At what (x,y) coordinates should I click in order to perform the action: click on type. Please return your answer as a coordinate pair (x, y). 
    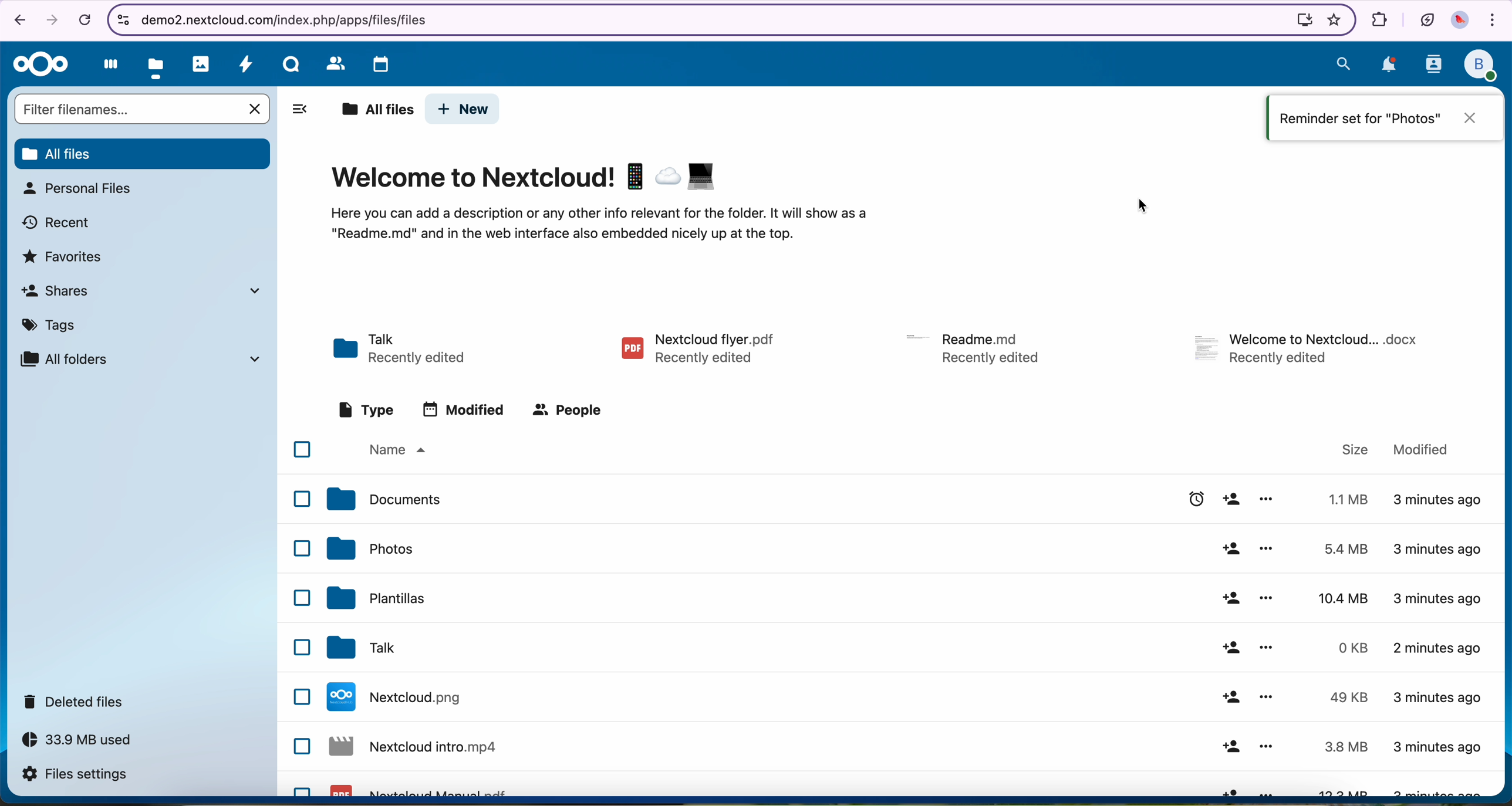
    Looking at the image, I should click on (365, 409).